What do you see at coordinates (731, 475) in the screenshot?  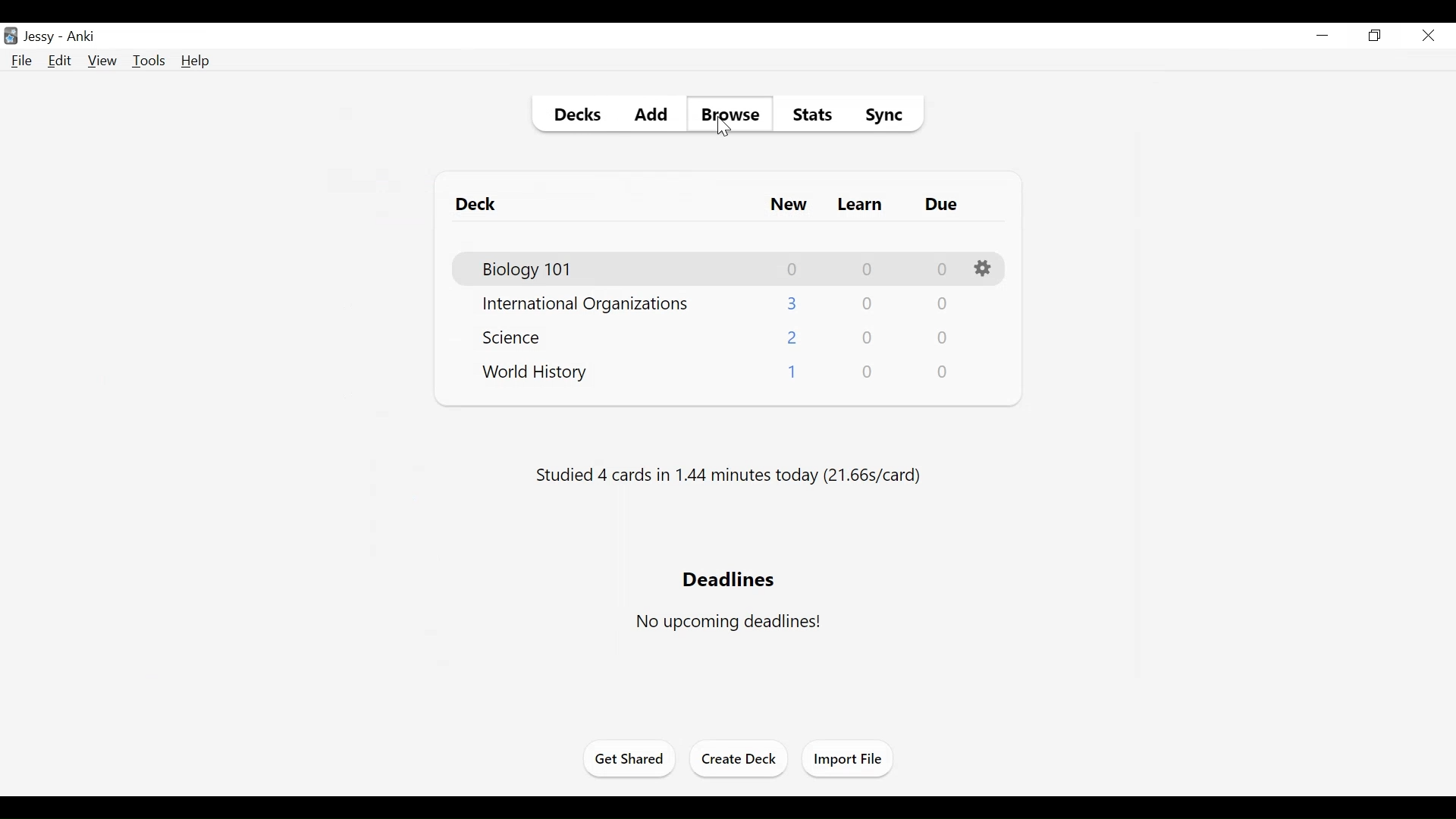 I see `Studied number of cards in number of minutes today (s/card)` at bounding box center [731, 475].